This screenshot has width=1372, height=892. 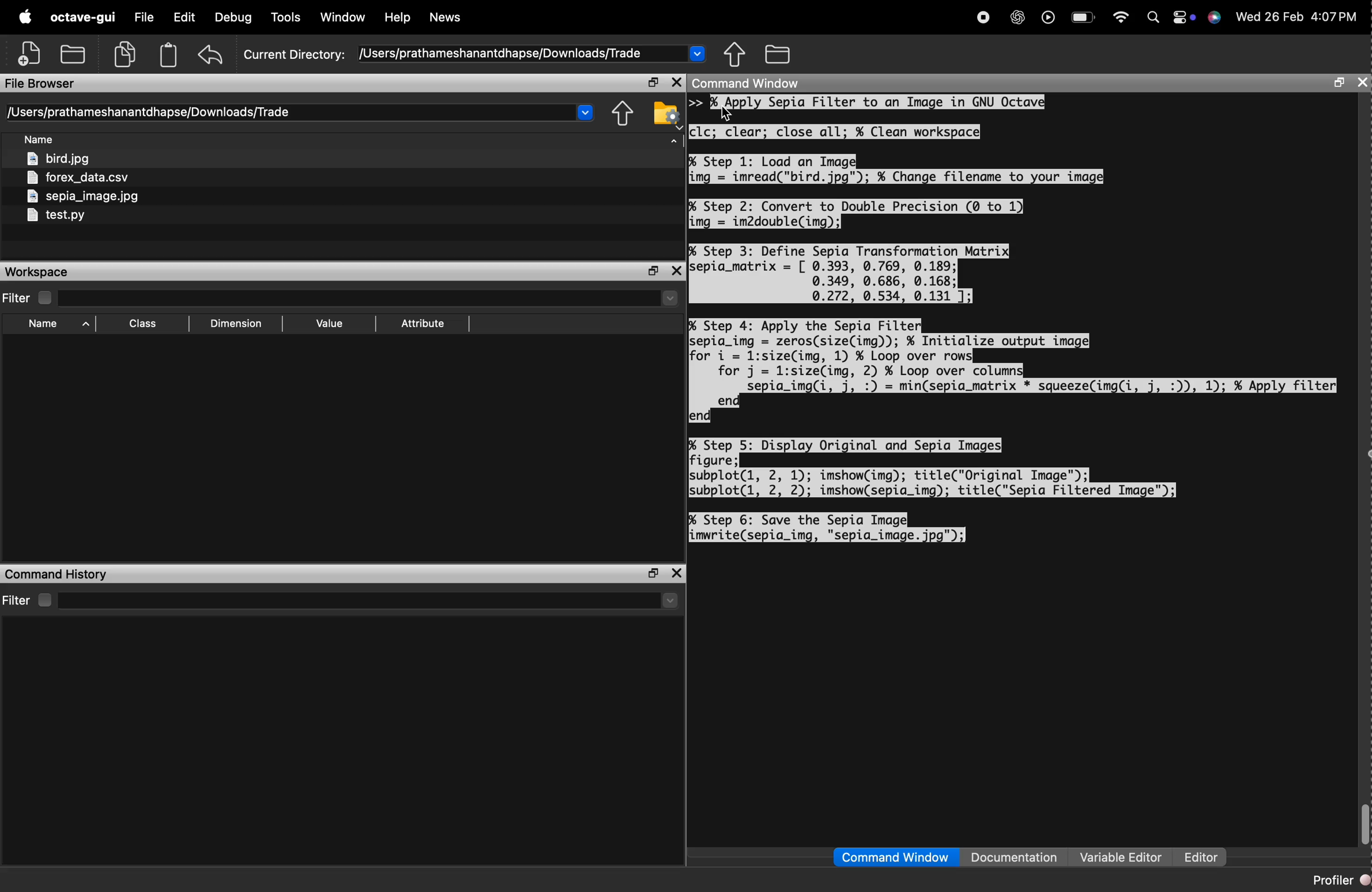 I want to click on Class, so click(x=144, y=323).